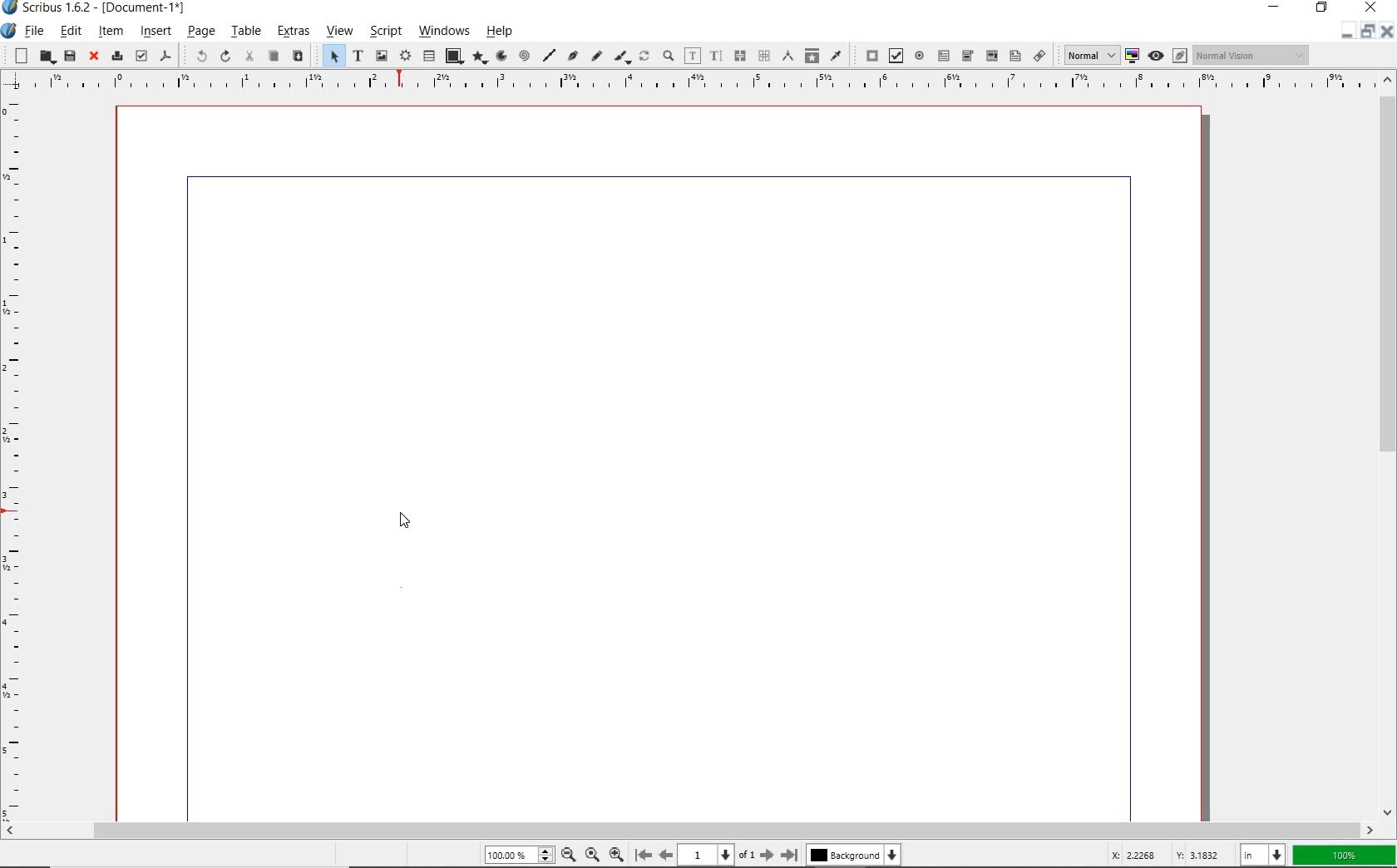  Describe the element at coordinates (642, 856) in the screenshot. I see `First page` at that location.